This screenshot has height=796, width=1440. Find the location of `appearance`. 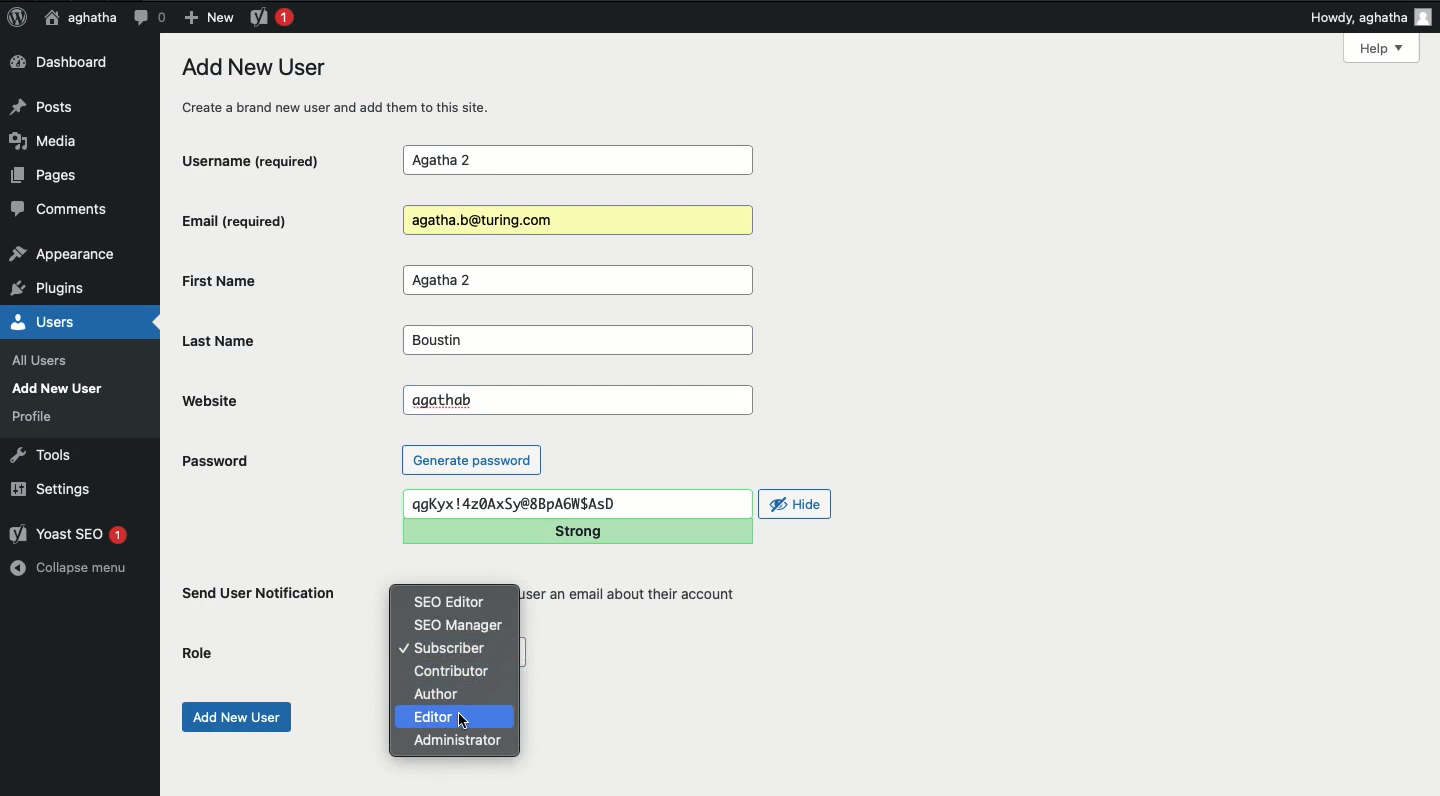

appearance is located at coordinates (63, 256).